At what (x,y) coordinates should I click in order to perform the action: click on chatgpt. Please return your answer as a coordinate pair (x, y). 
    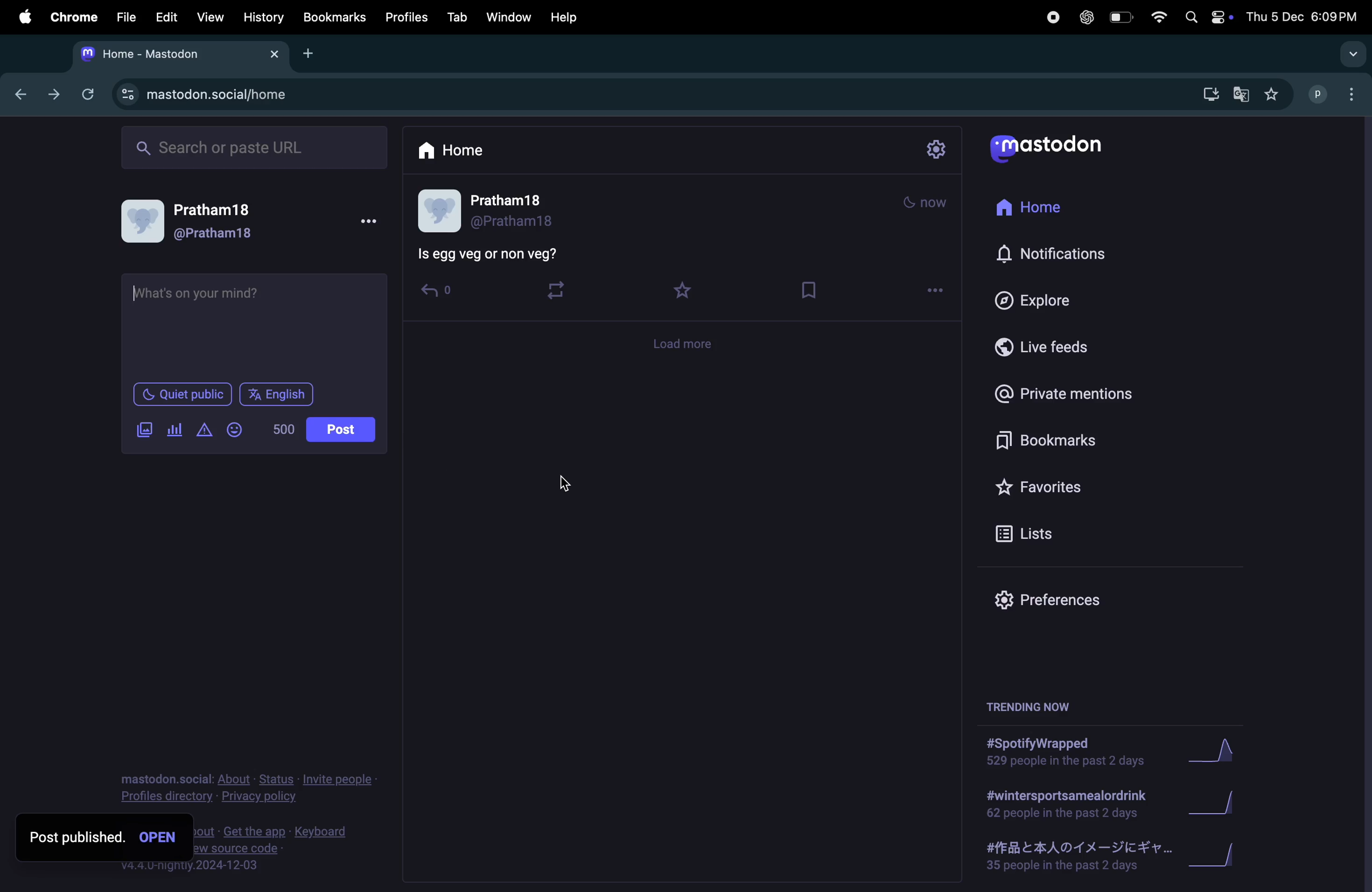
    Looking at the image, I should click on (1085, 20).